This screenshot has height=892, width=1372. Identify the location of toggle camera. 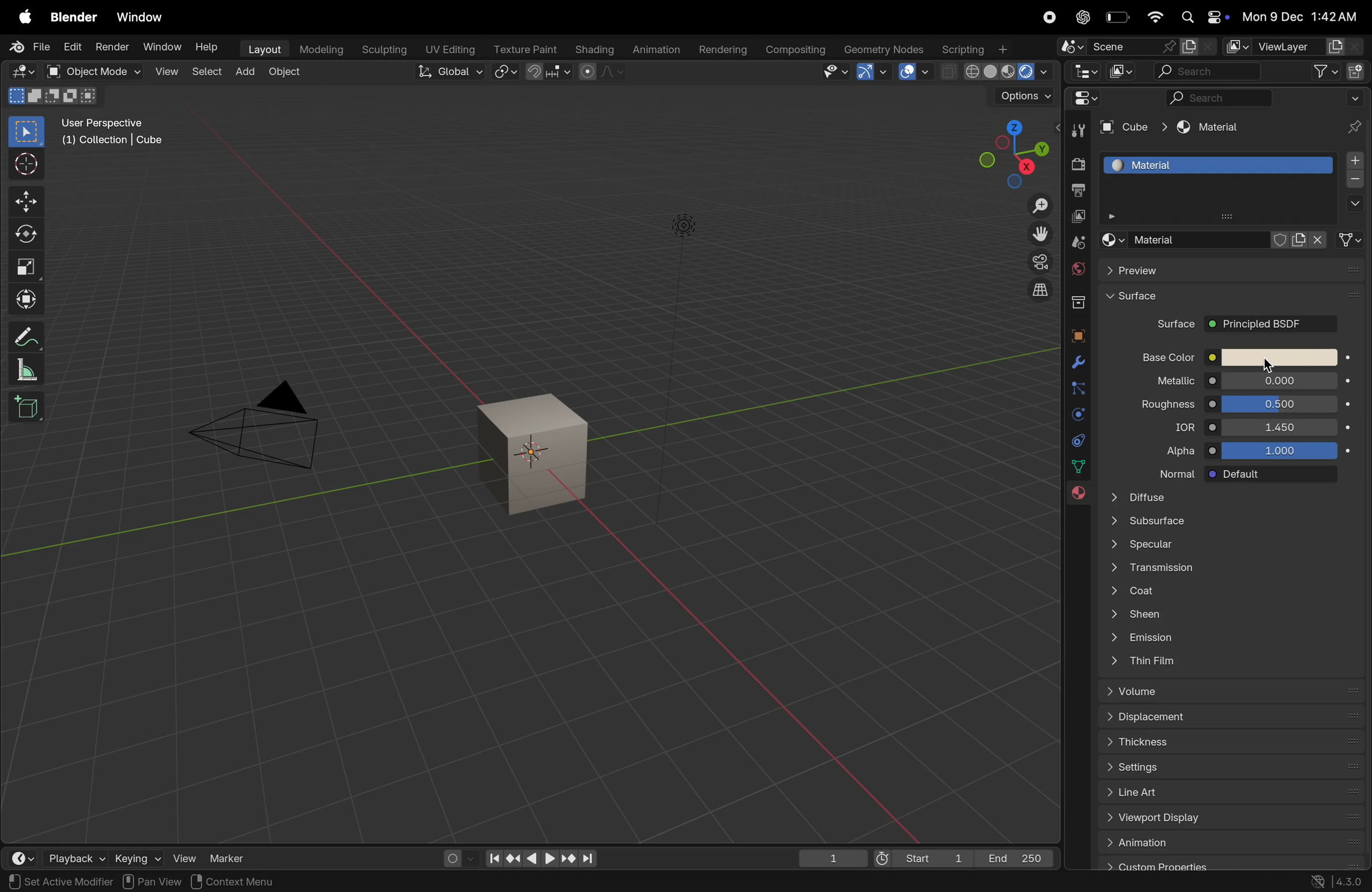
(1038, 262).